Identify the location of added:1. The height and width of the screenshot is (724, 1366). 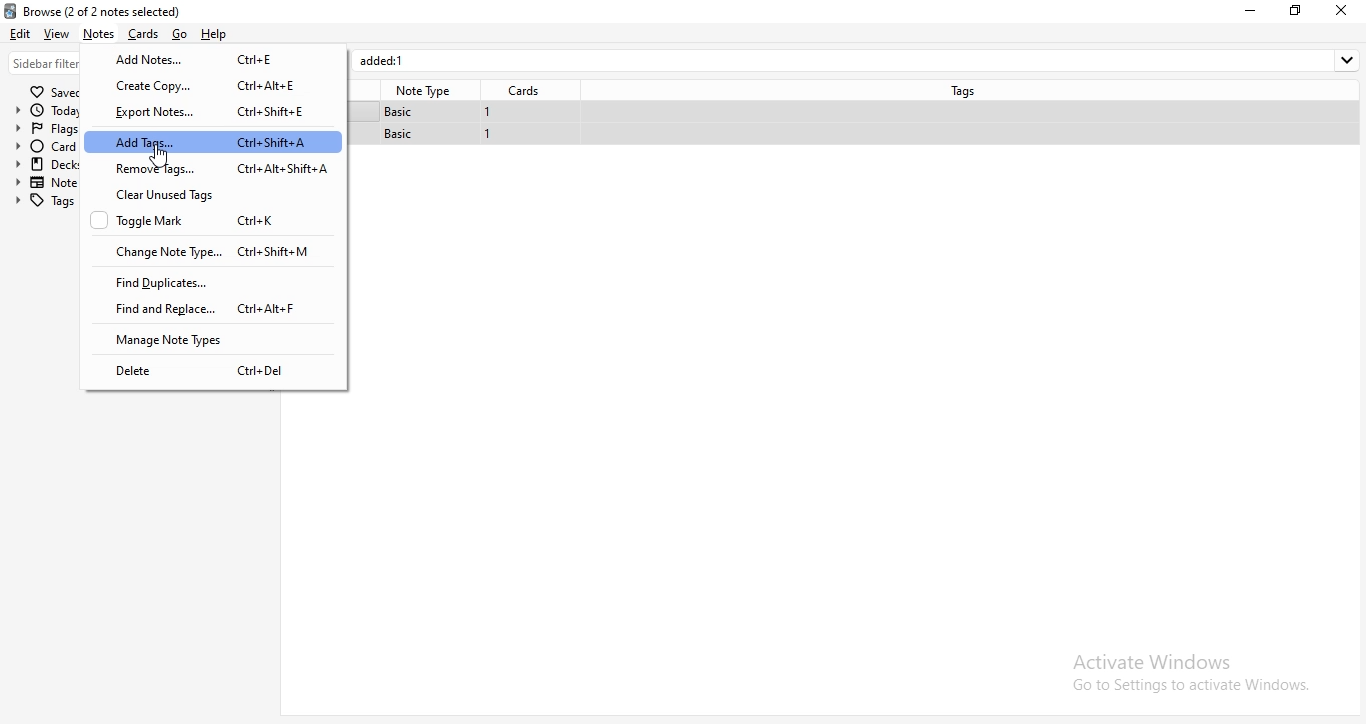
(858, 60).